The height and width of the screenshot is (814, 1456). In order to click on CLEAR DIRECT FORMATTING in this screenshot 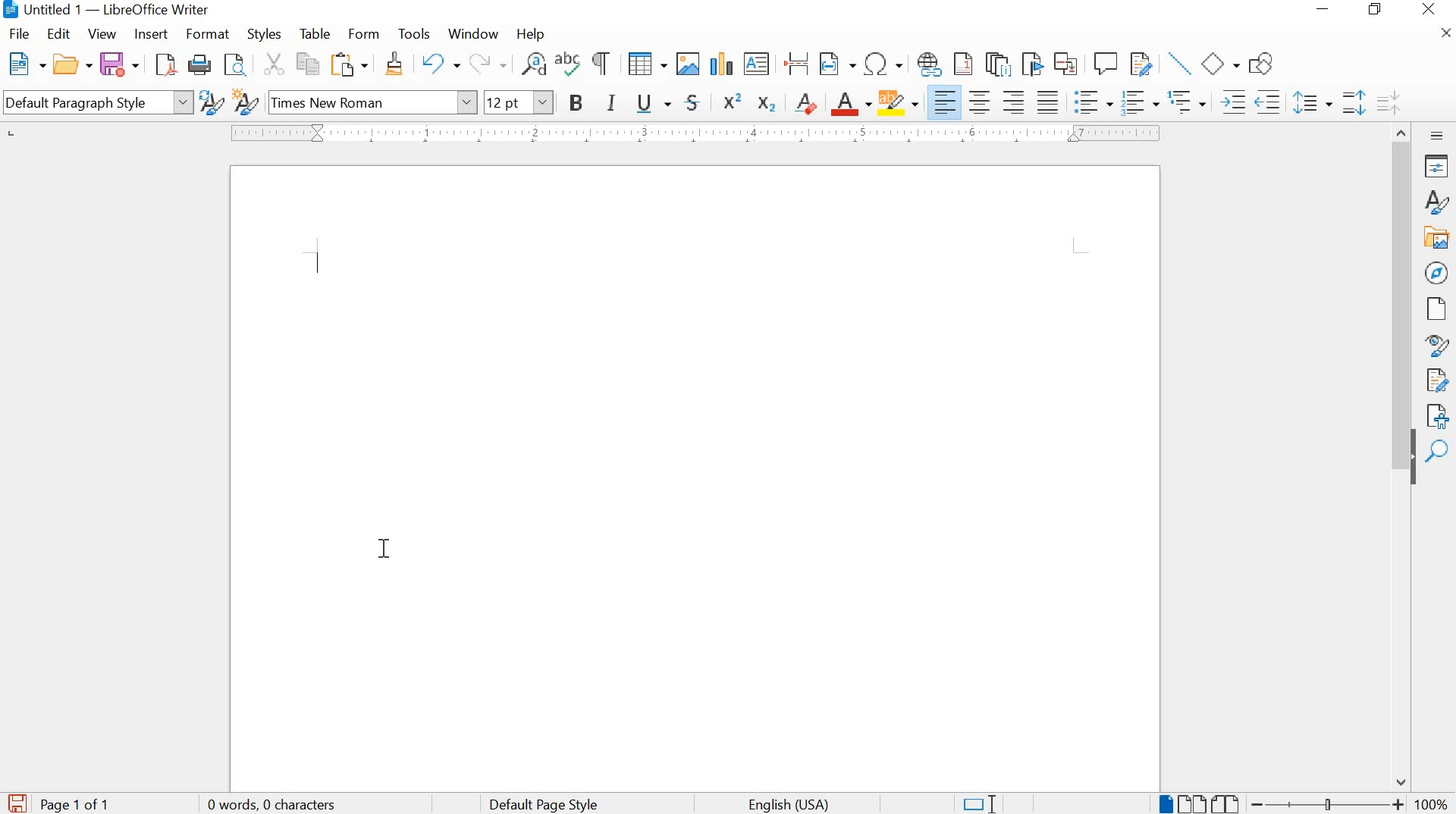, I will do `click(805, 104)`.